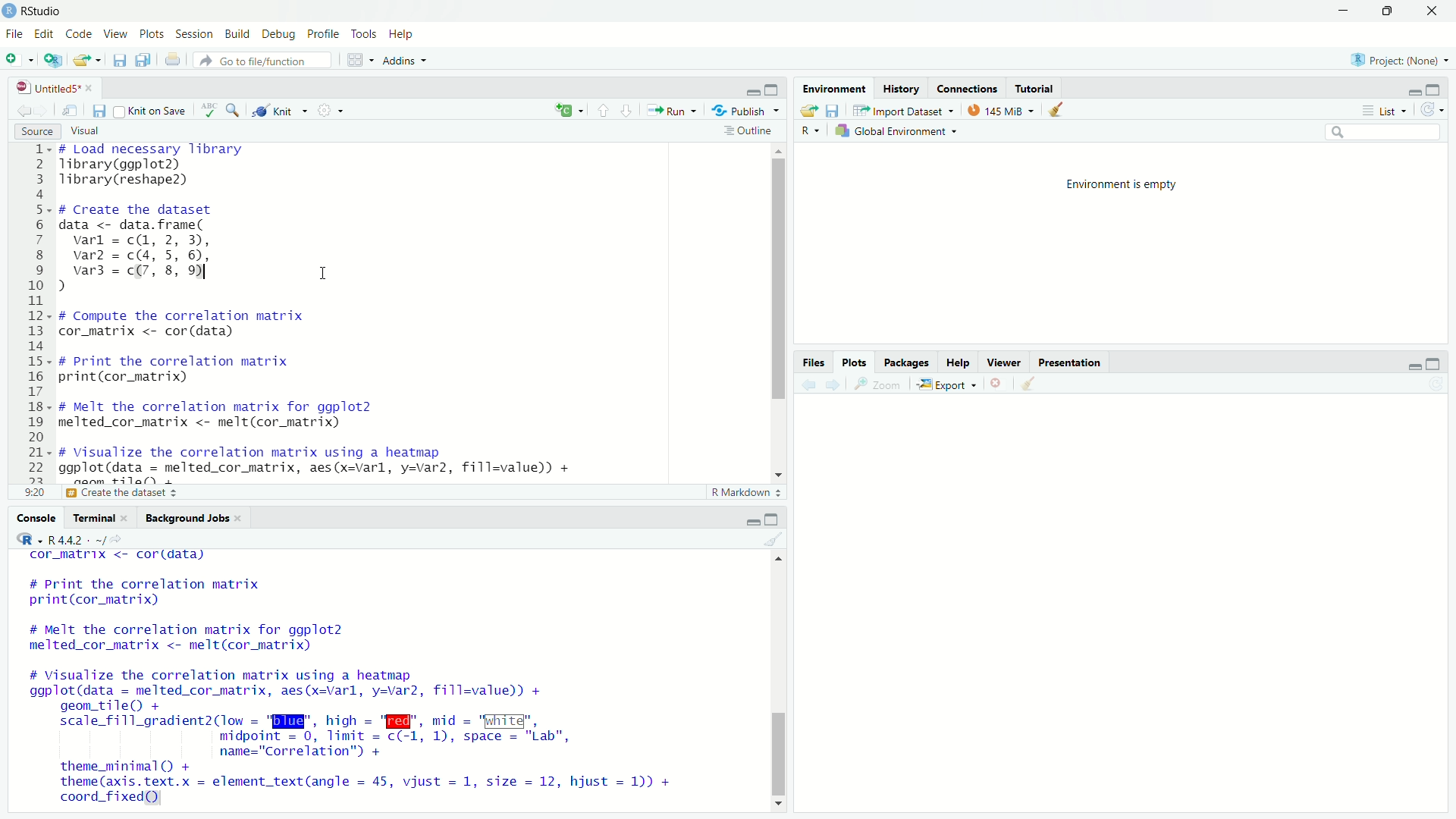 The height and width of the screenshot is (819, 1456). Describe the element at coordinates (773, 519) in the screenshot. I see `maximize` at that location.